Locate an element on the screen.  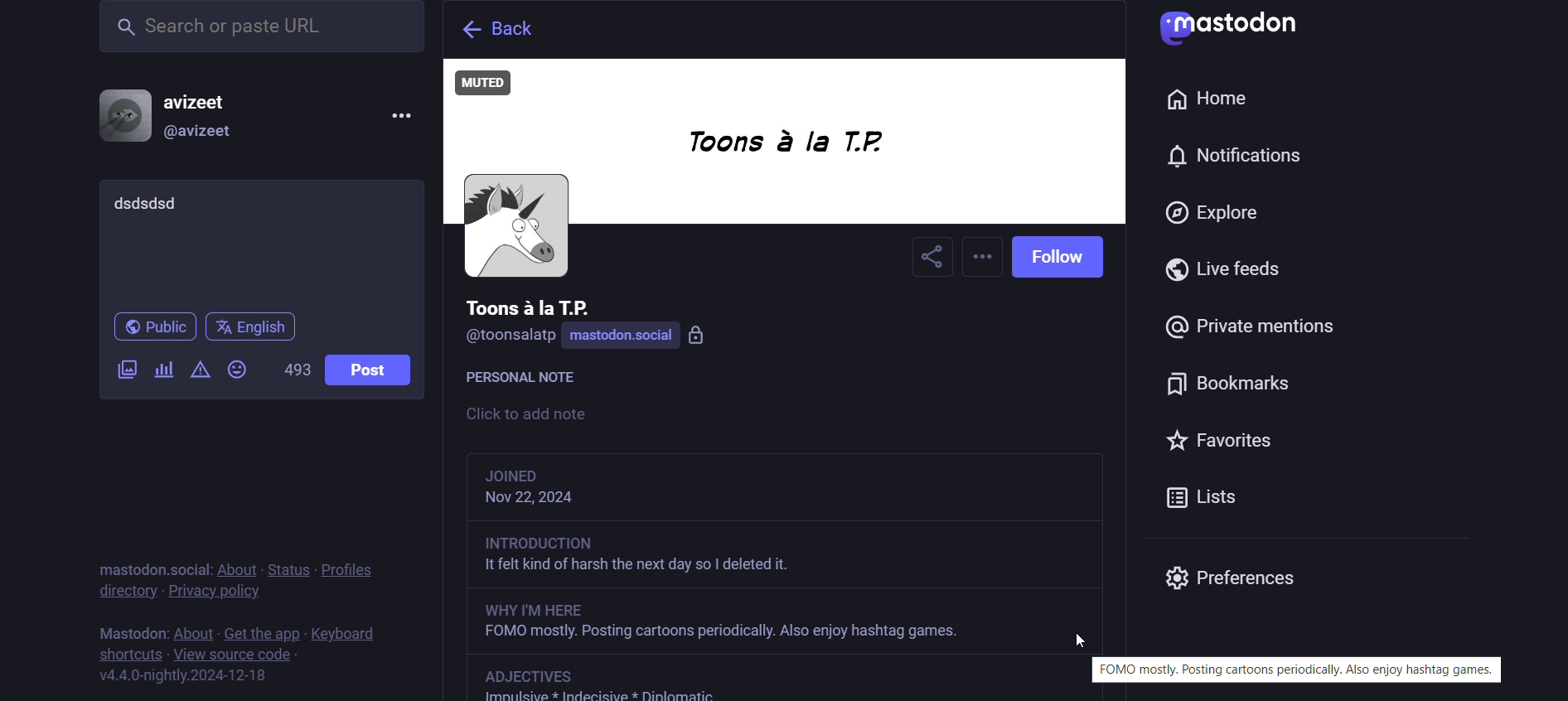
cursor is located at coordinates (1079, 640).